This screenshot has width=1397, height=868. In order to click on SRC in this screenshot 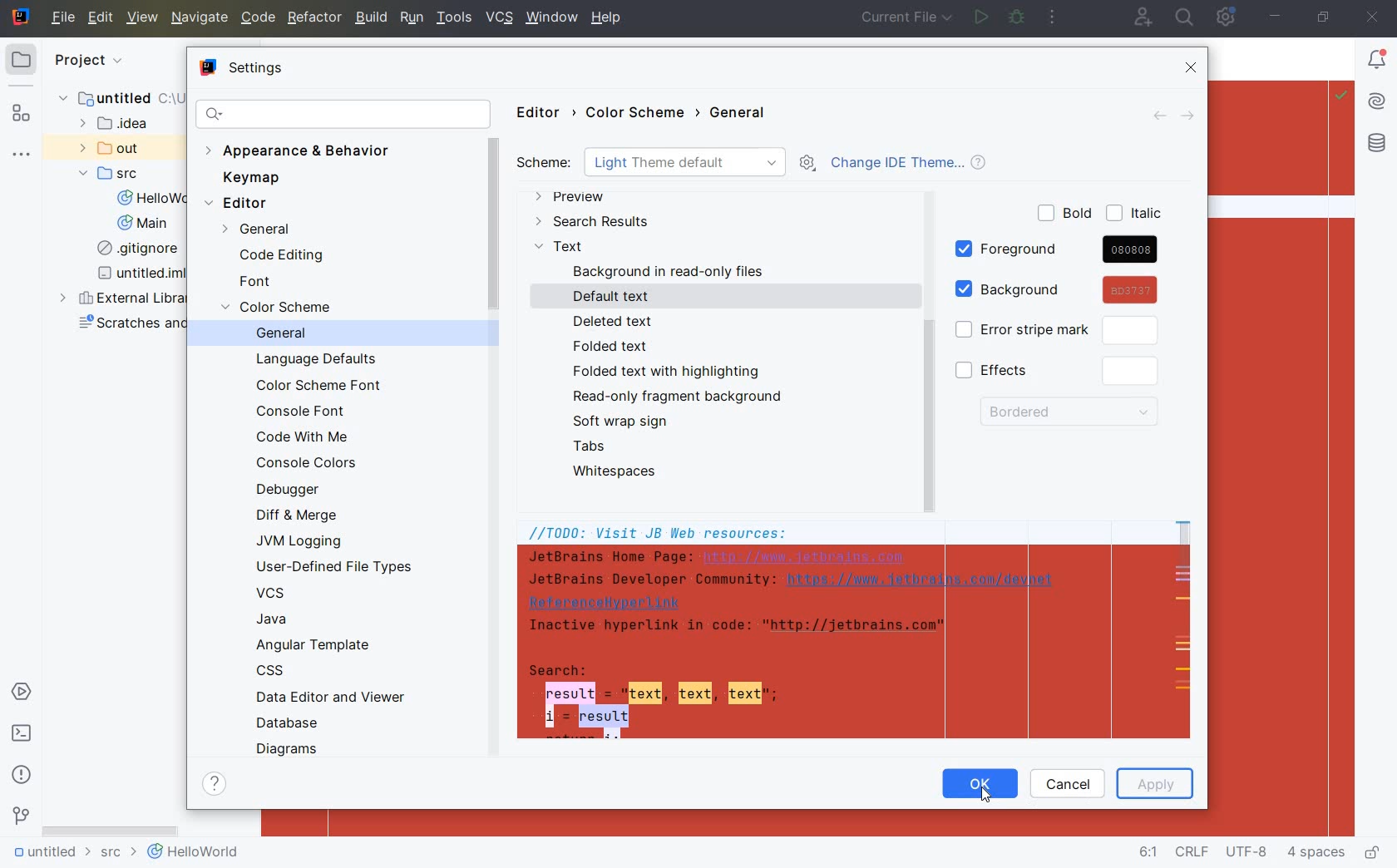, I will do `click(111, 174)`.